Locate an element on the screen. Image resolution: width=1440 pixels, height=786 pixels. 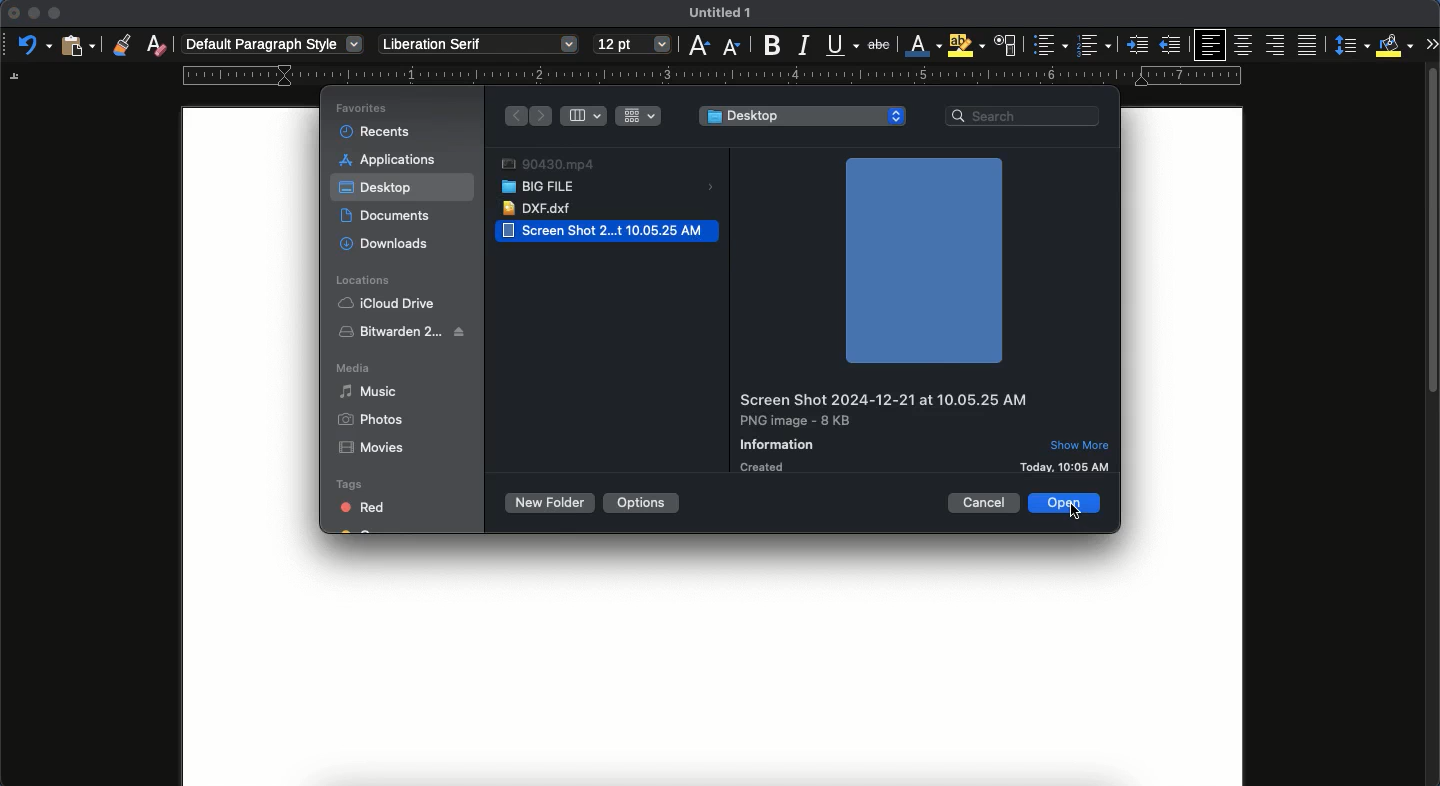
decrease size is located at coordinates (732, 48).